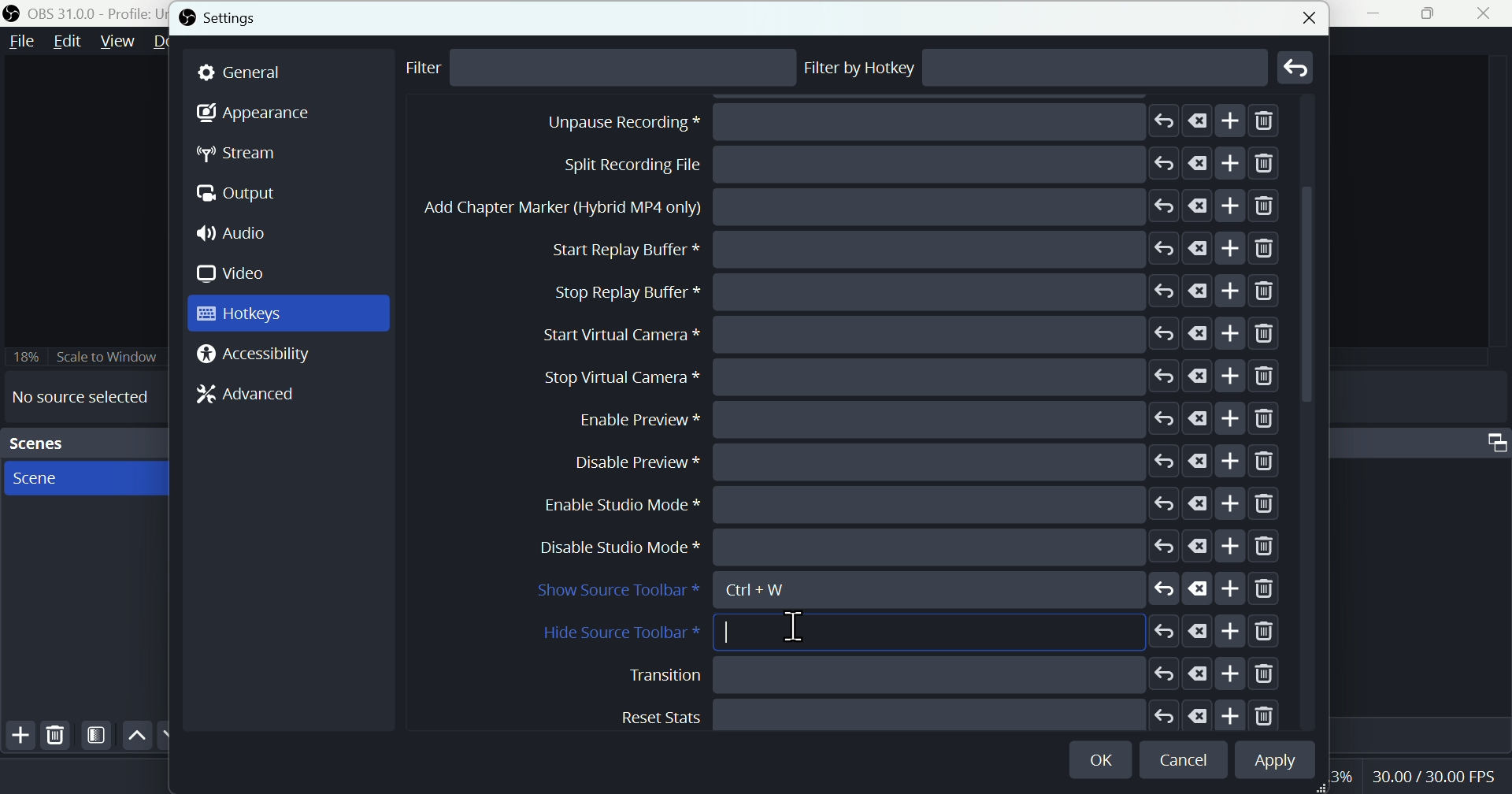 Image resolution: width=1512 pixels, height=794 pixels. What do you see at coordinates (1187, 761) in the screenshot?
I see `cancel` at bounding box center [1187, 761].